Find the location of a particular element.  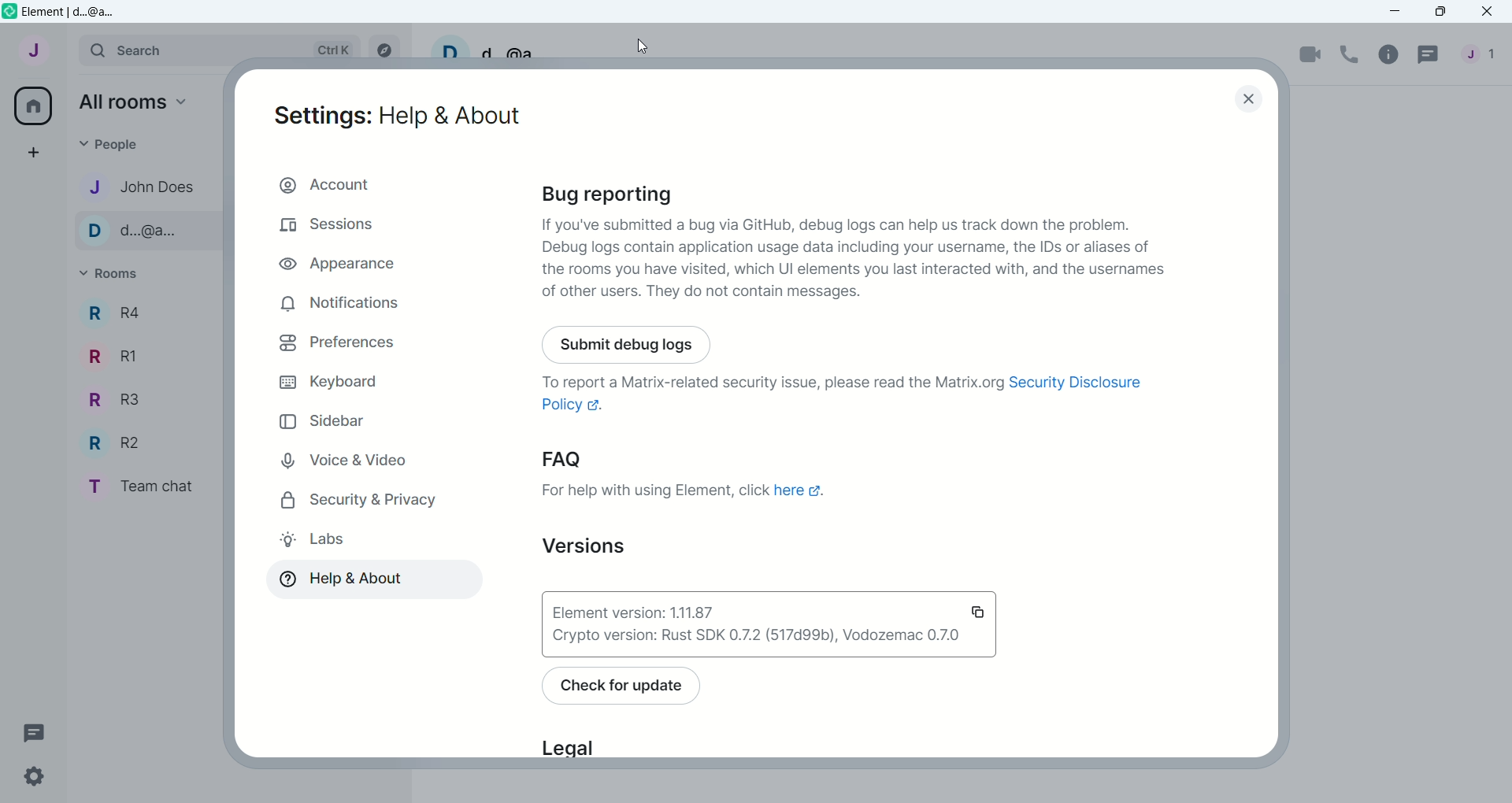

Appearance is located at coordinates (329, 265).